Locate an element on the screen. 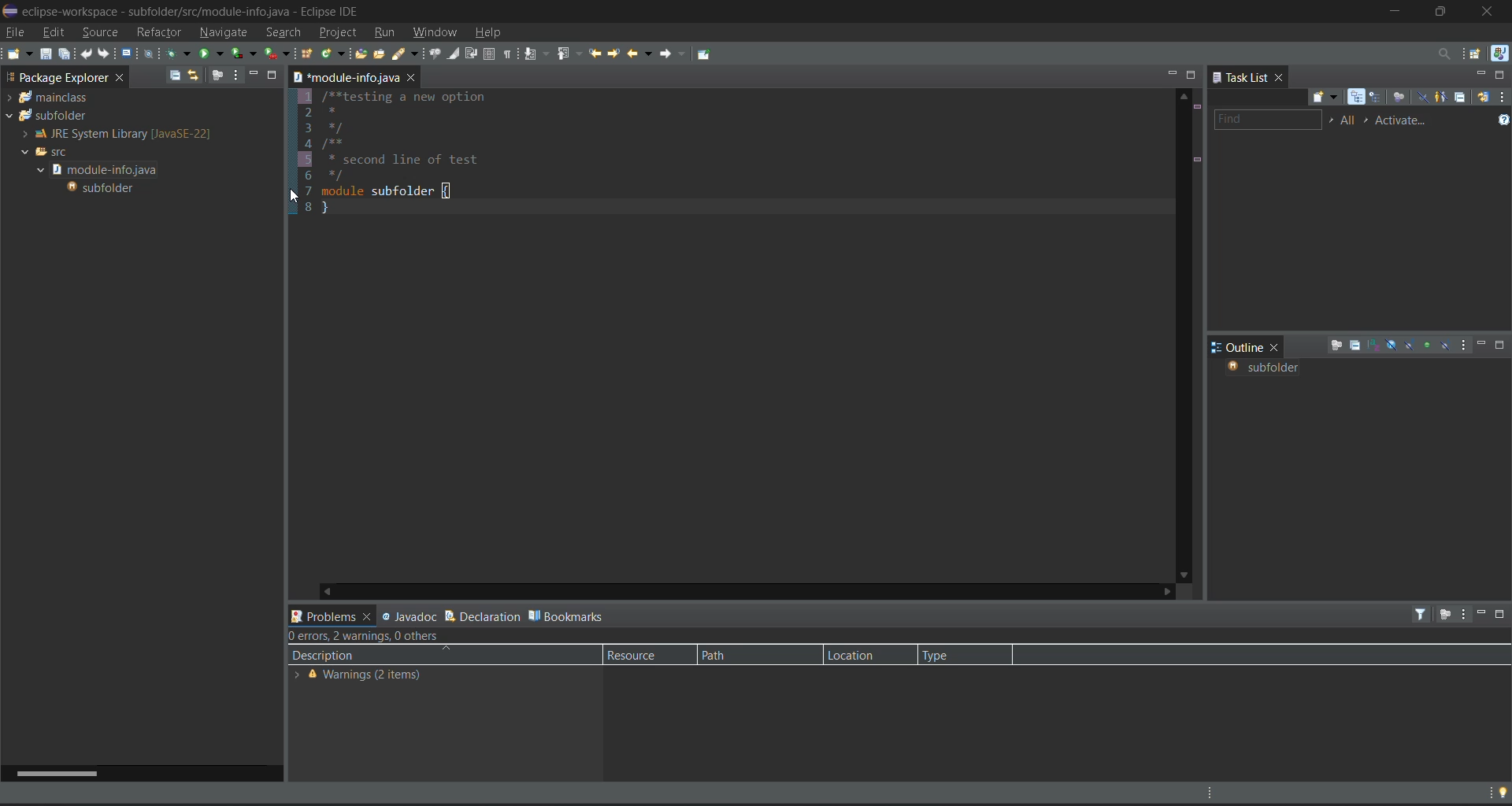 The image size is (1512, 806). file location is located at coordinates (345, 76).